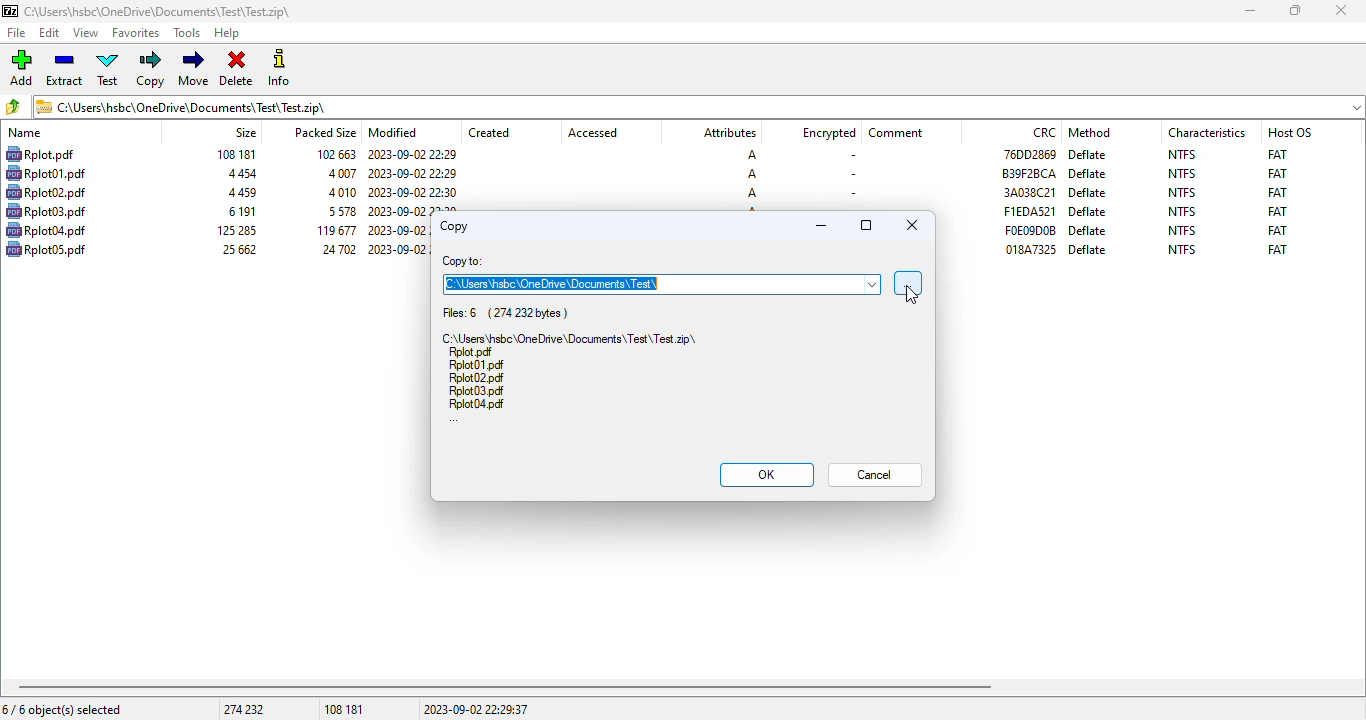 The width and height of the screenshot is (1366, 720). What do you see at coordinates (1207, 132) in the screenshot?
I see `characteristics` at bounding box center [1207, 132].